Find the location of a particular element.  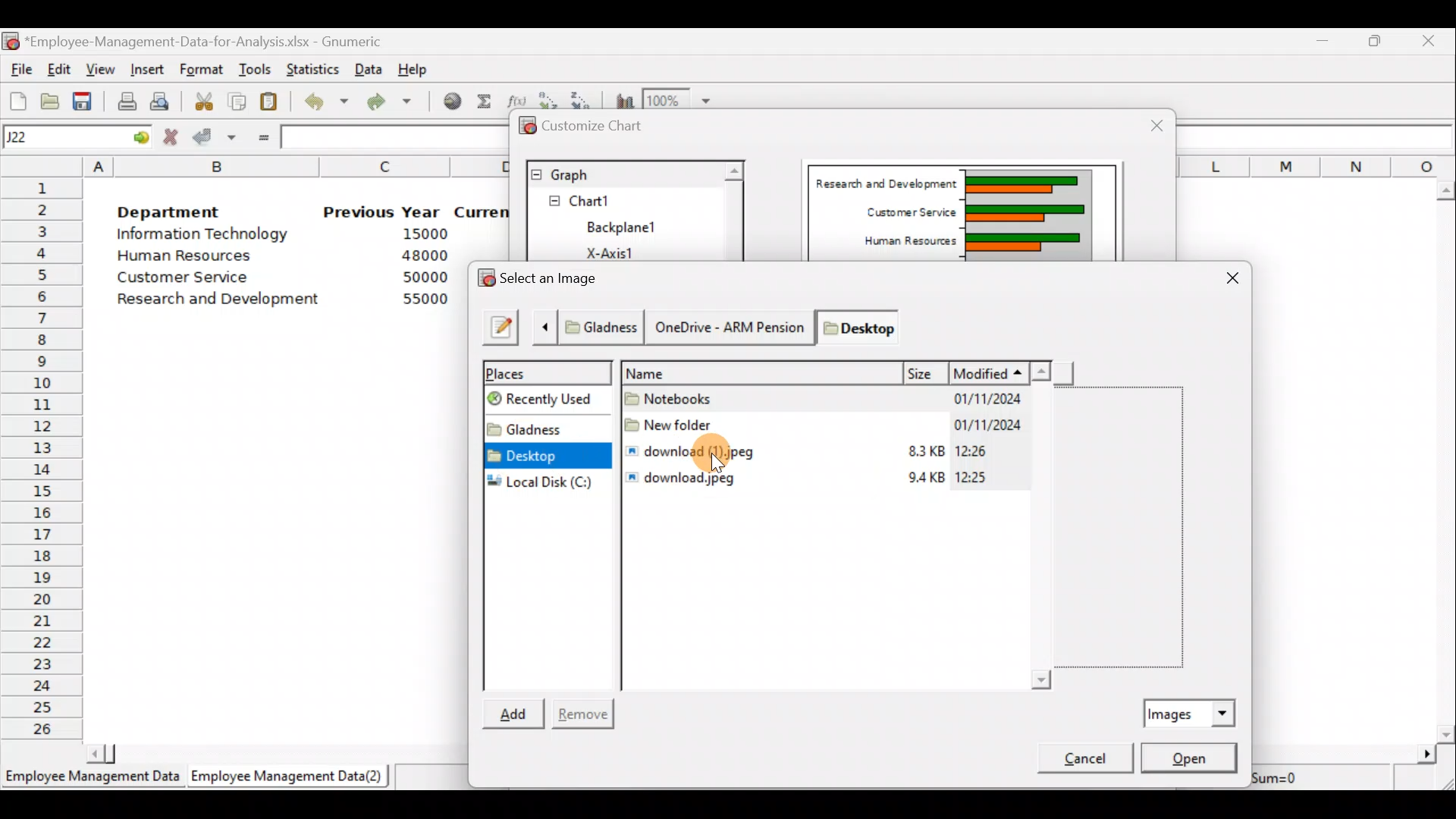

Statistics is located at coordinates (314, 65).